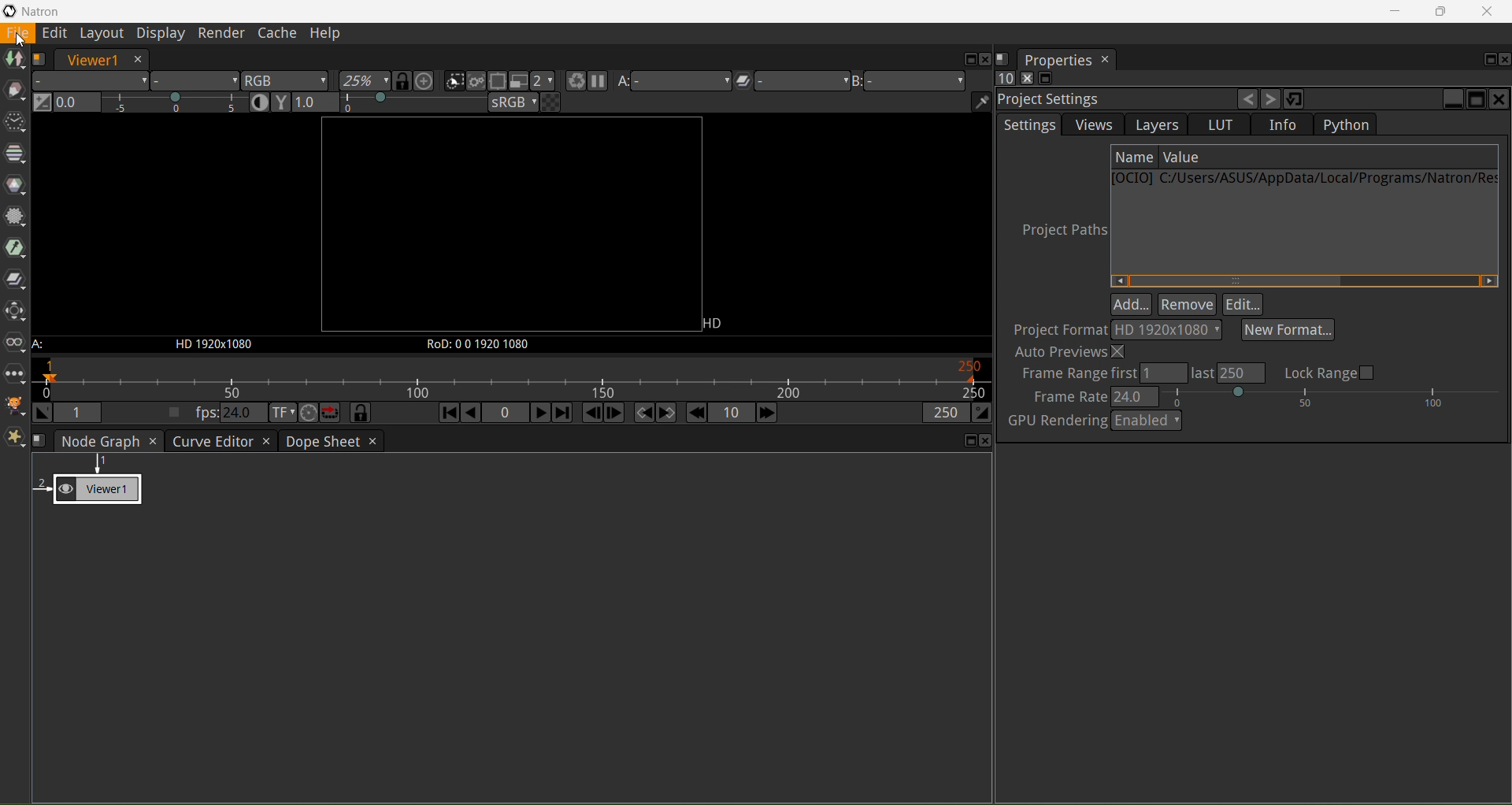  What do you see at coordinates (195, 81) in the screenshot?
I see `Alpha channels` at bounding box center [195, 81].